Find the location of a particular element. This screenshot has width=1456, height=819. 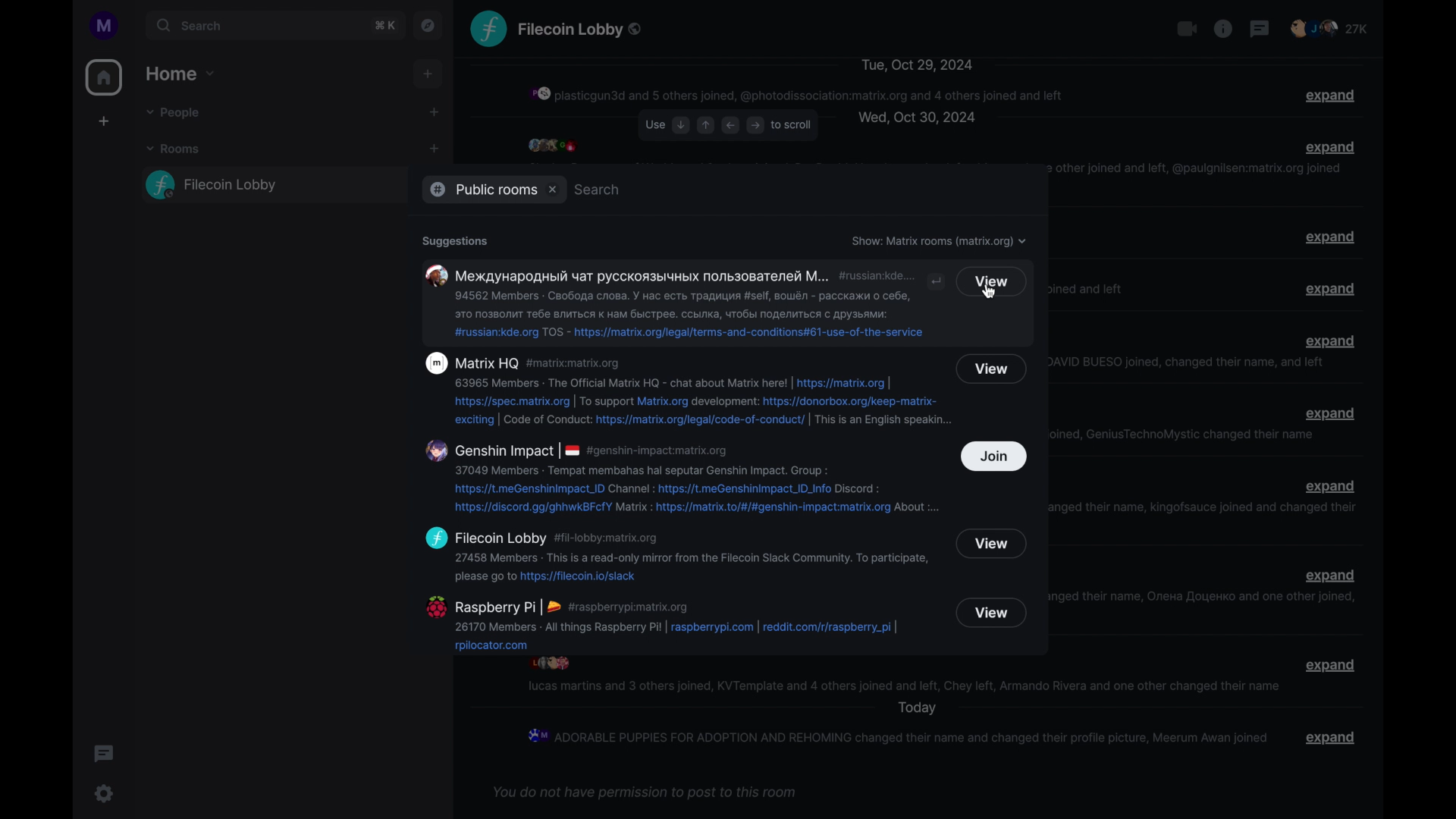

show: matrix rooms (matrix.org) dropdown menu is located at coordinates (939, 242).